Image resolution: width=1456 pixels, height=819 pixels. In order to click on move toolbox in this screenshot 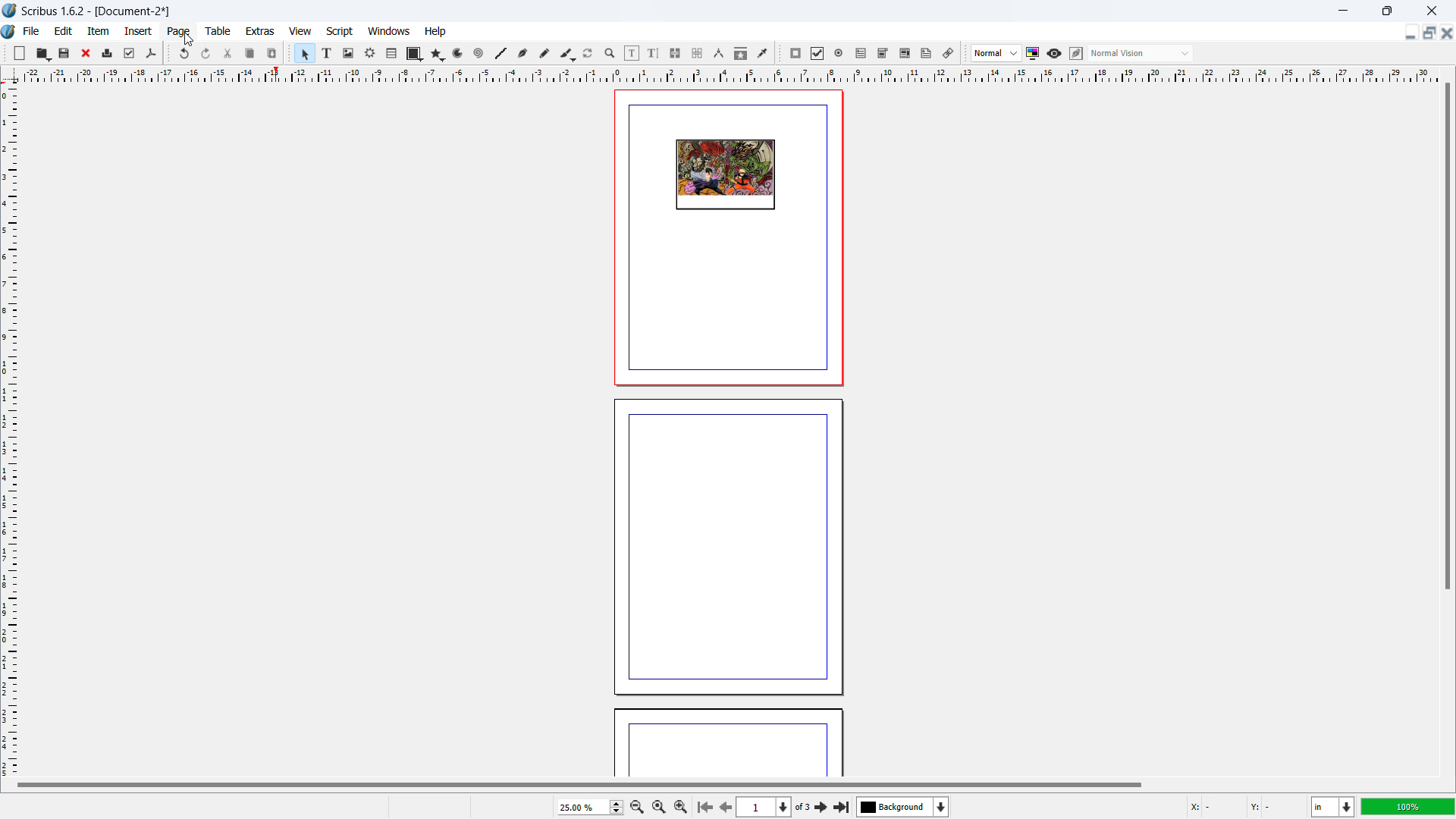, I will do `click(290, 52)`.